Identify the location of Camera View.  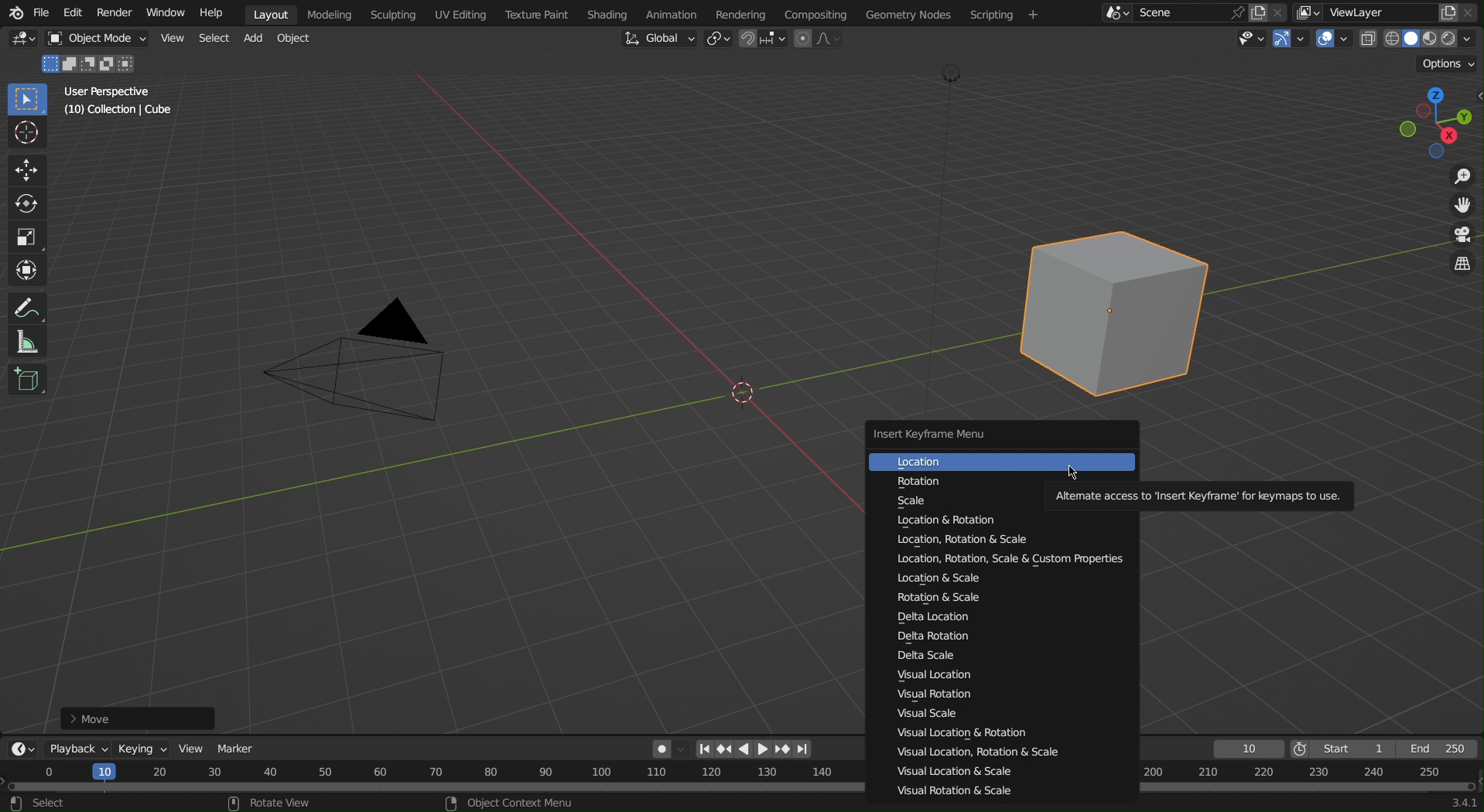
(1460, 237).